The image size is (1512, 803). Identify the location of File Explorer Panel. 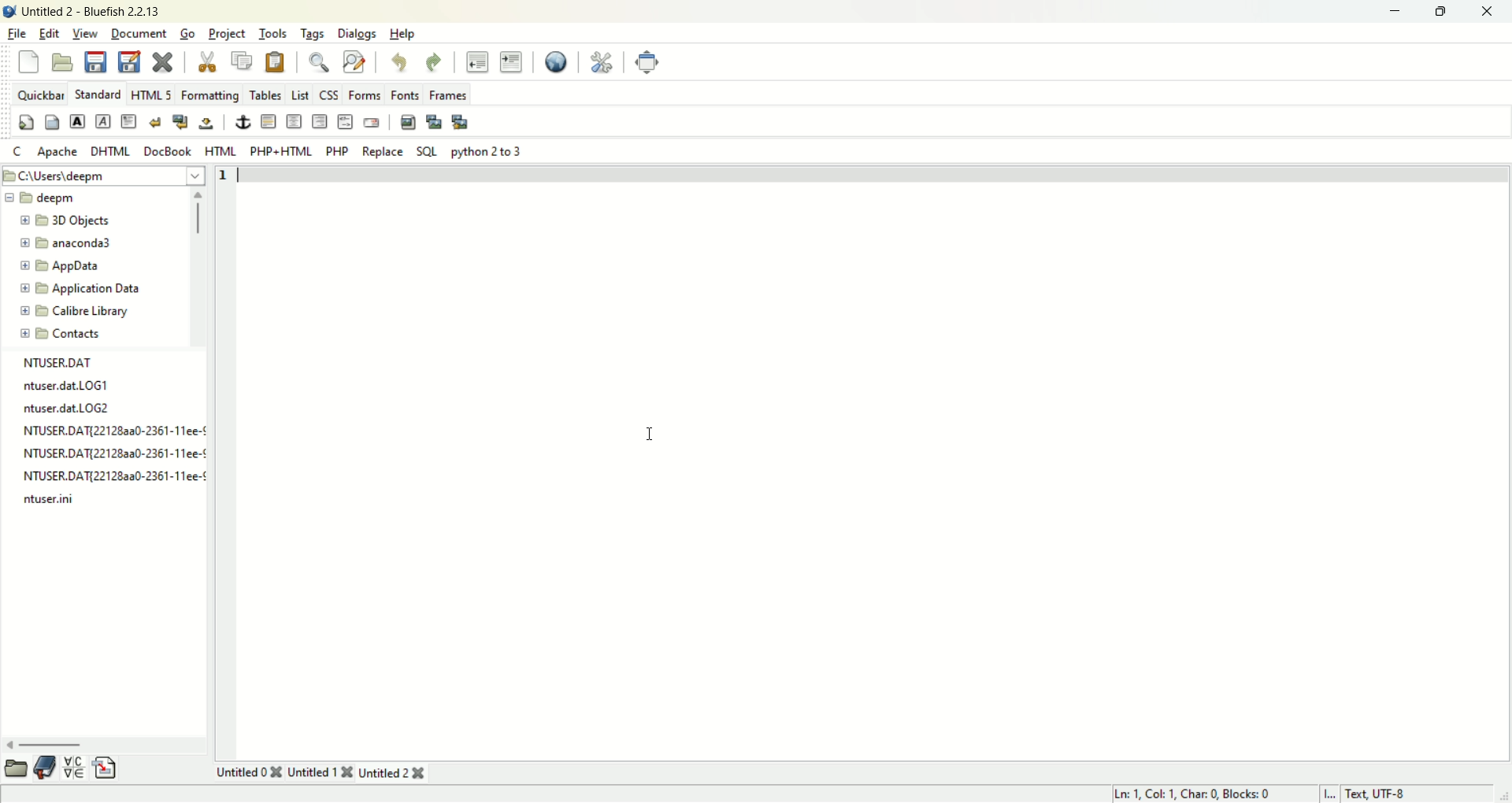
(109, 431).